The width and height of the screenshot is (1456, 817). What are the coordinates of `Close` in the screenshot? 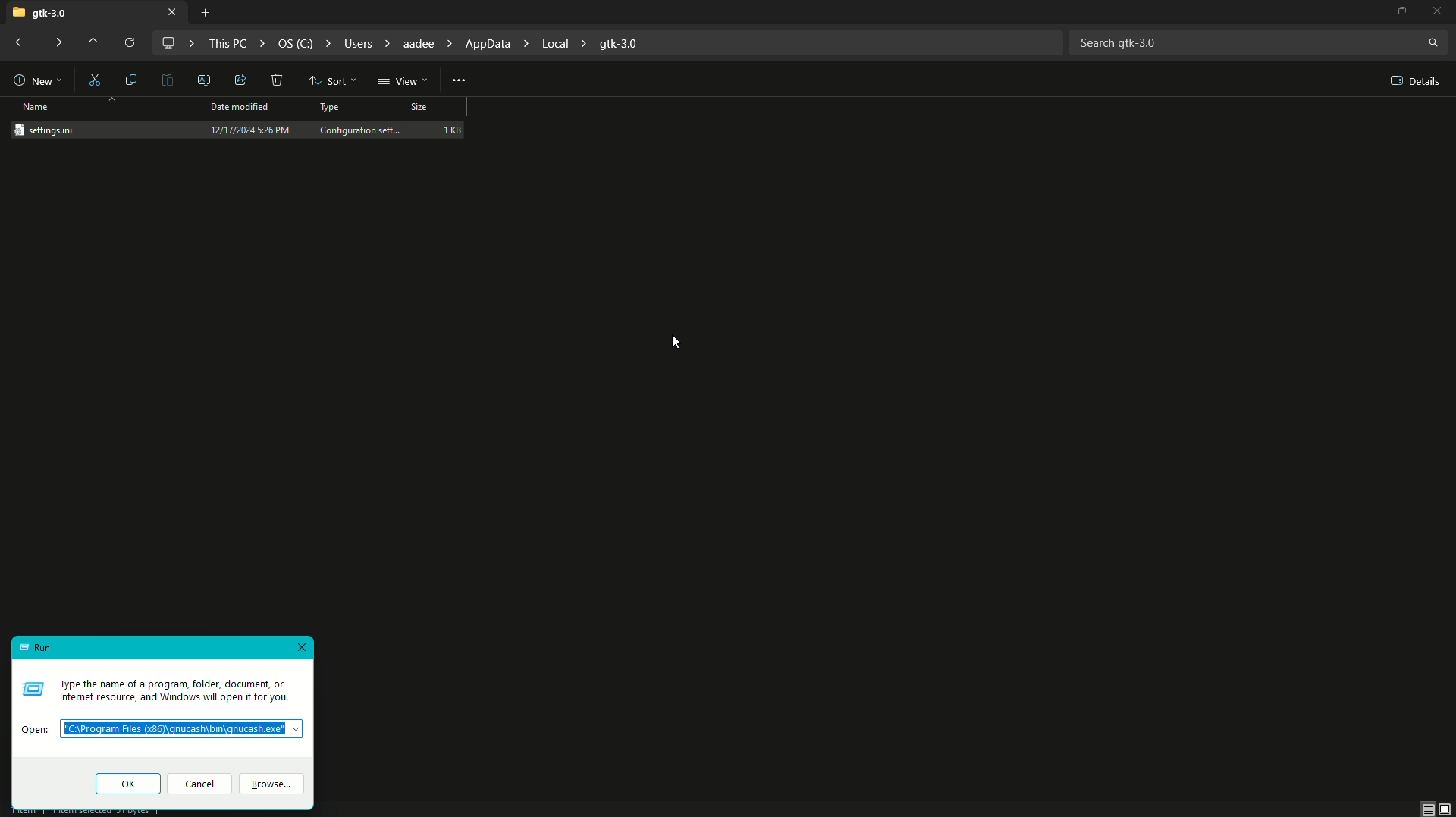 It's located at (1440, 11).